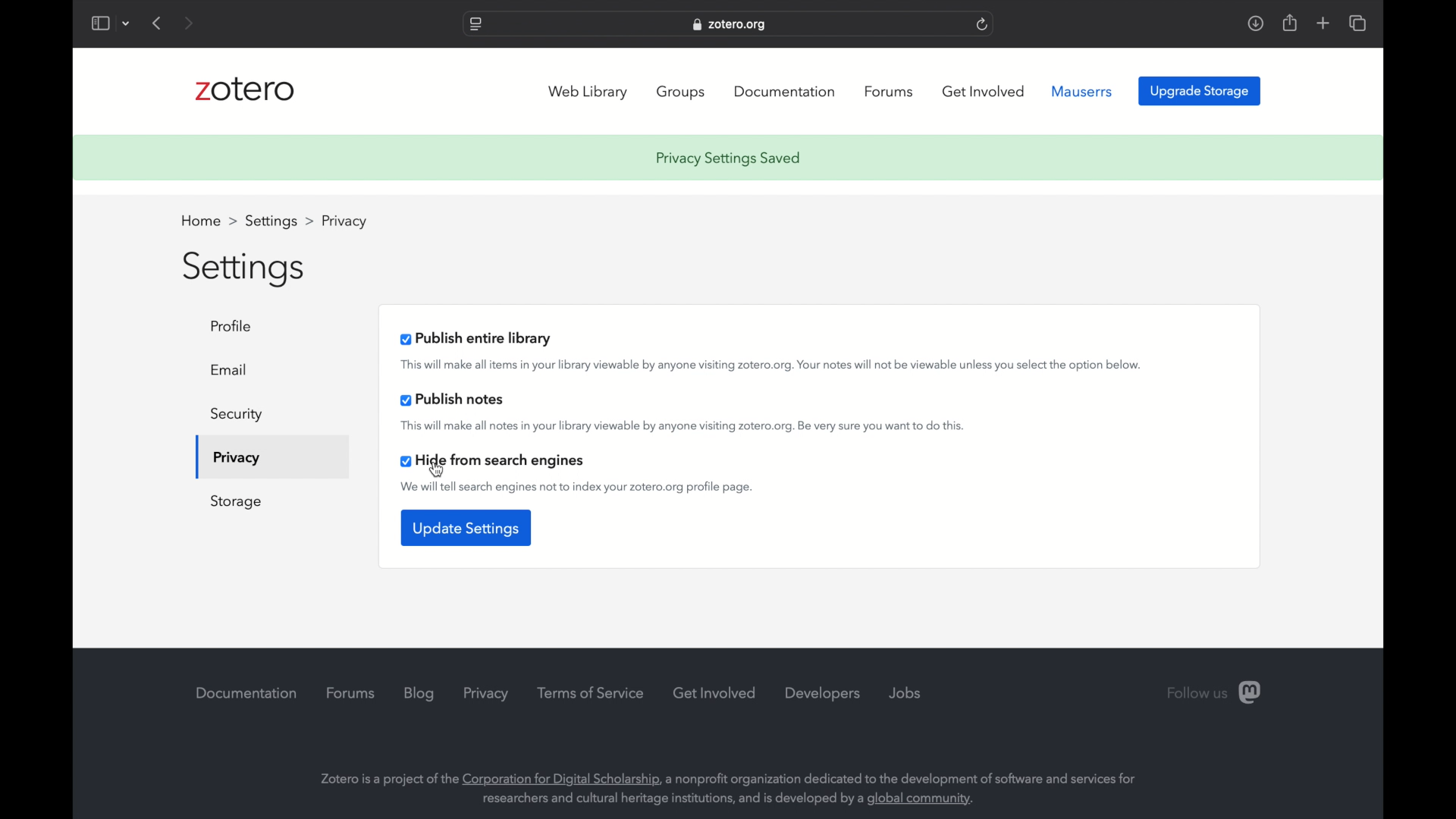 This screenshot has height=819, width=1456. Describe the element at coordinates (592, 693) in the screenshot. I see `terms of service` at that location.